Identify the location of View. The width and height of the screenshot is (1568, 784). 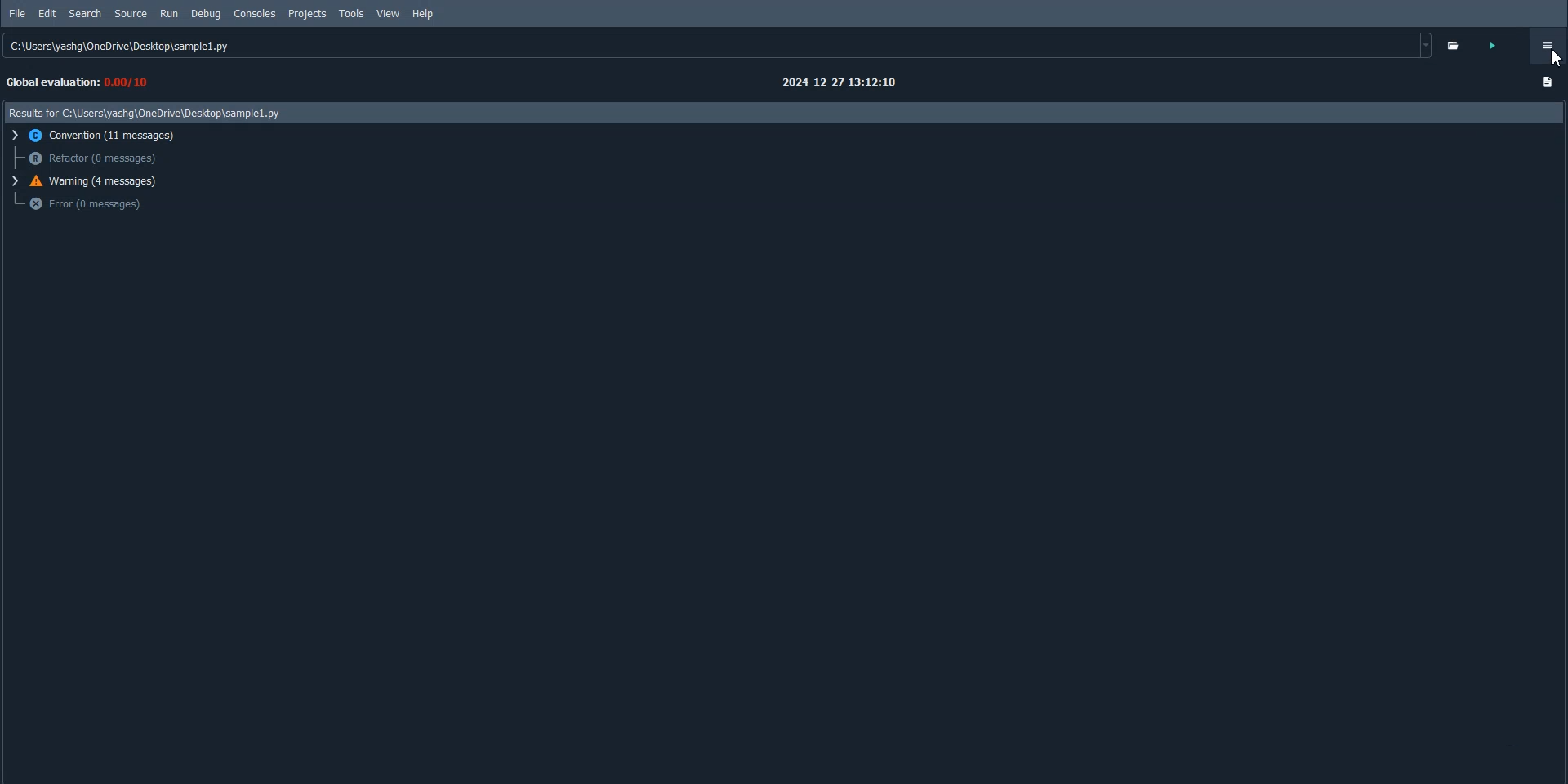
(388, 13).